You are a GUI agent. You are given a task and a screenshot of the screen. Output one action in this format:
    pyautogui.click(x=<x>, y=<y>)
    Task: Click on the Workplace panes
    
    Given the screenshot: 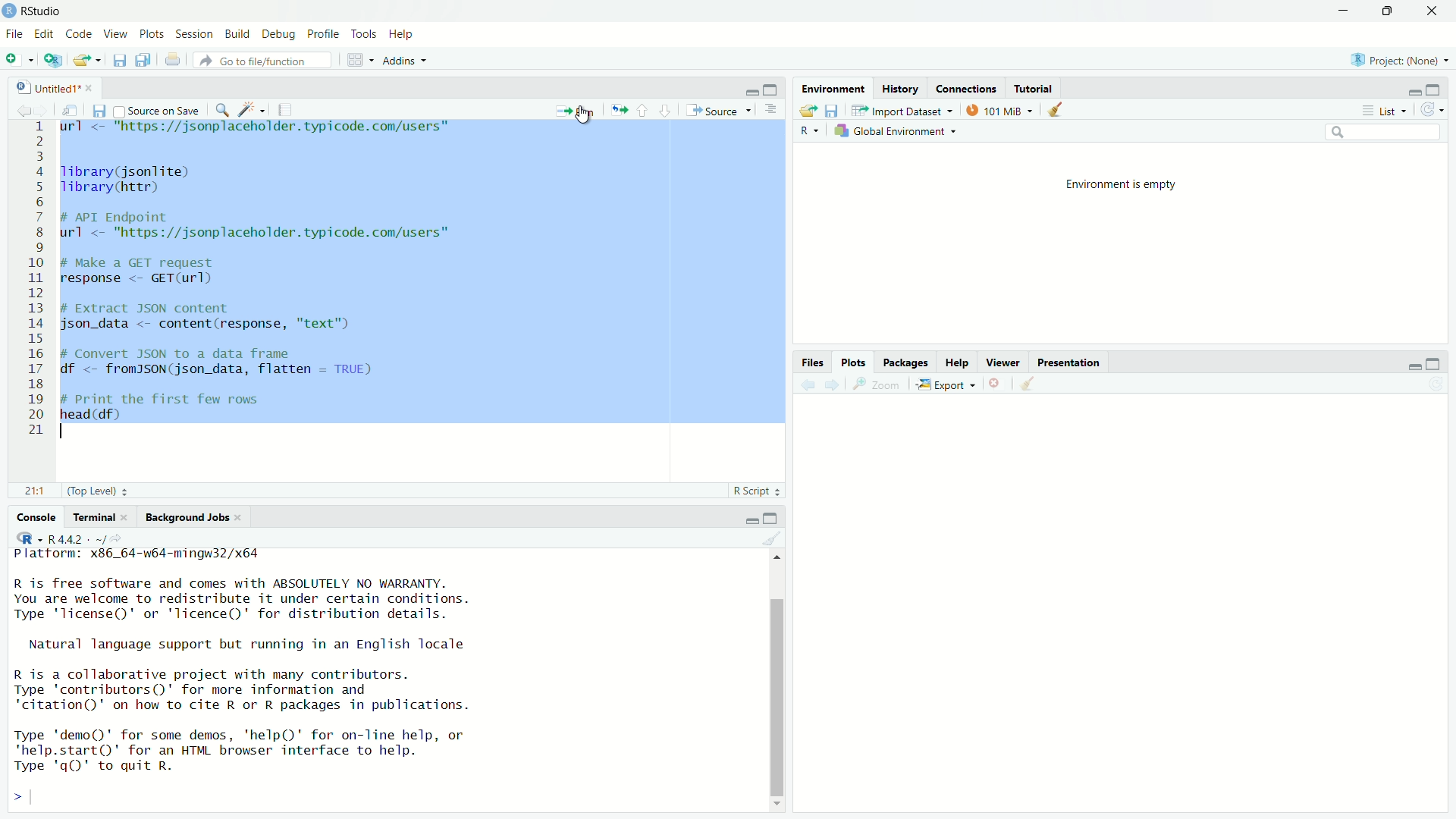 What is the action you would take?
    pyautogui.click(x=361, y=60)
    